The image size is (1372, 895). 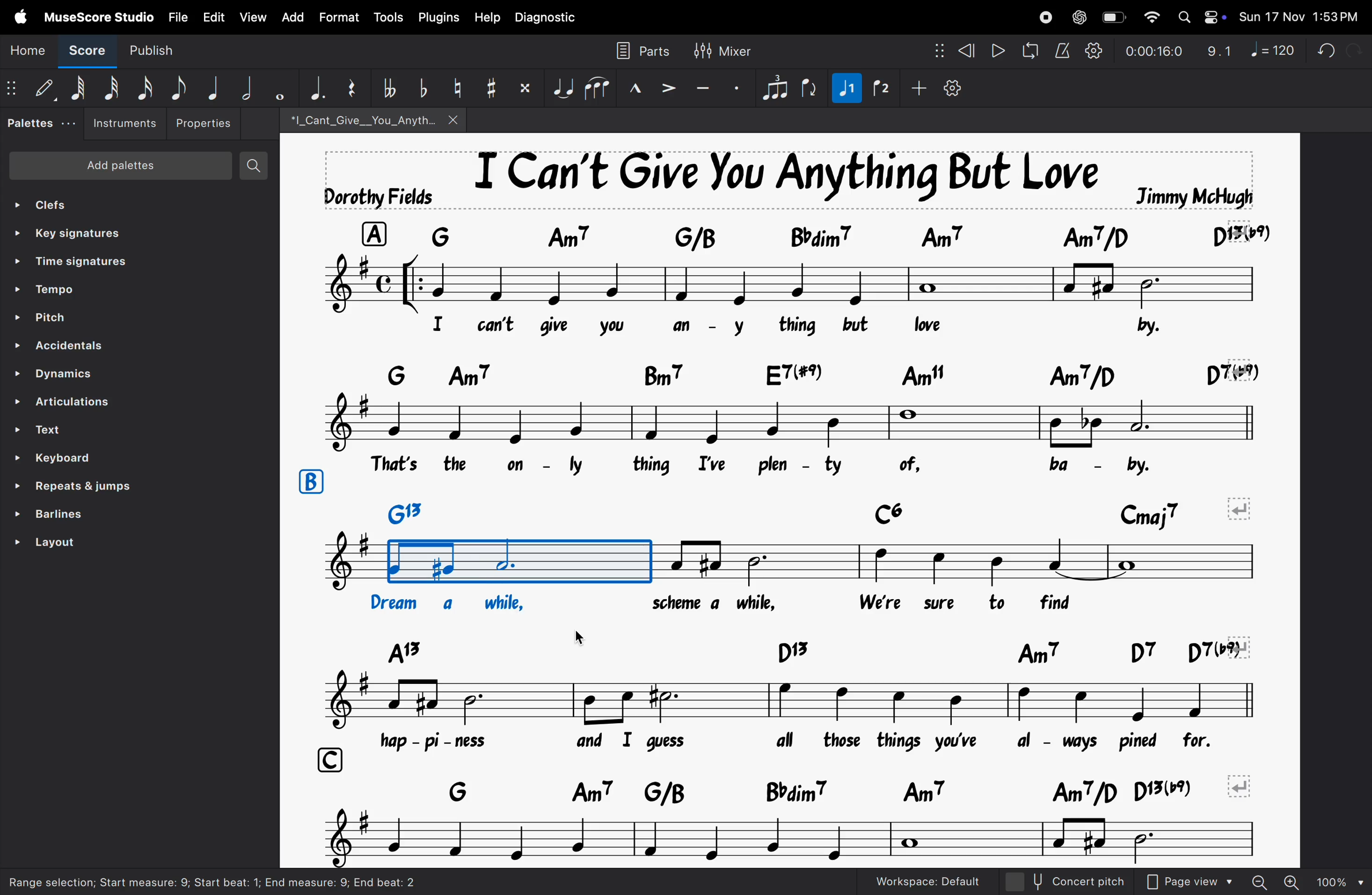 What do you see at coordinates (959, 87) in the screenshot?
I see `customize toolbar` at bounding box center [959, 87].